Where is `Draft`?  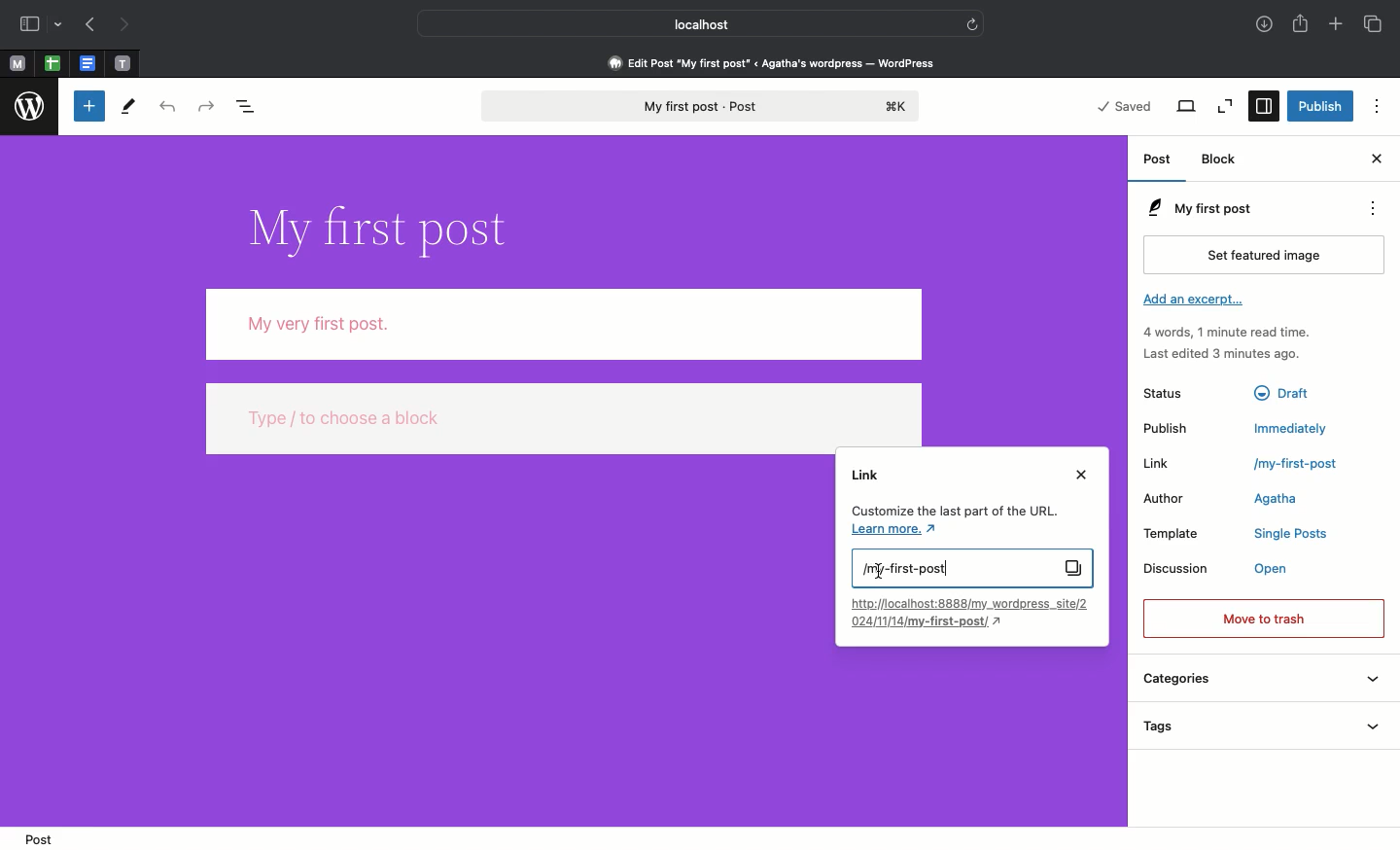 Draft is located at coordinates (1286, 393).